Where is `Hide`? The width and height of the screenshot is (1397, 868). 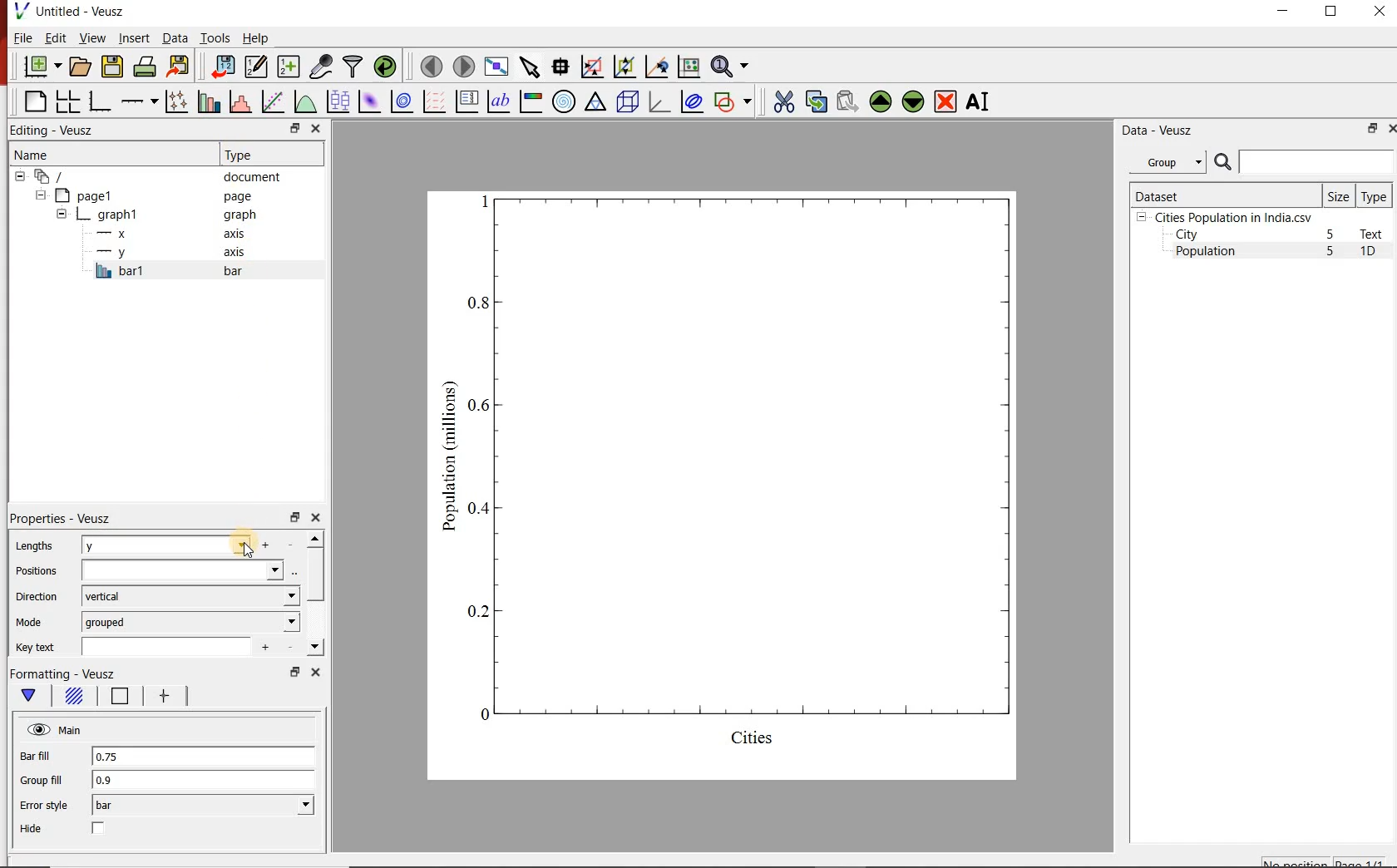 Hide is located at coordinates (33, 829).